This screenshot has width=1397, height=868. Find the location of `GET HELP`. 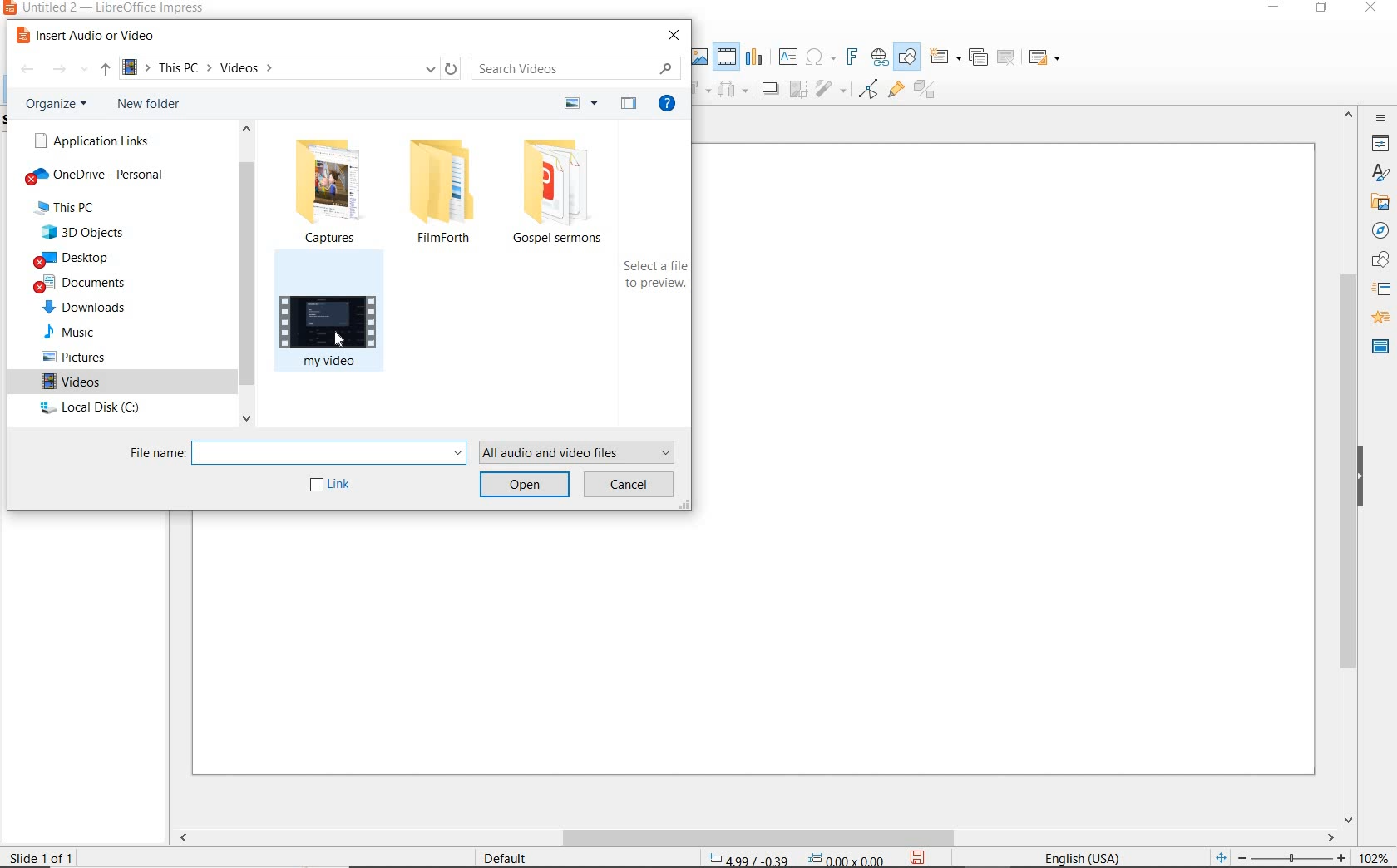

GET HELP is located at coordinates (670, 106).